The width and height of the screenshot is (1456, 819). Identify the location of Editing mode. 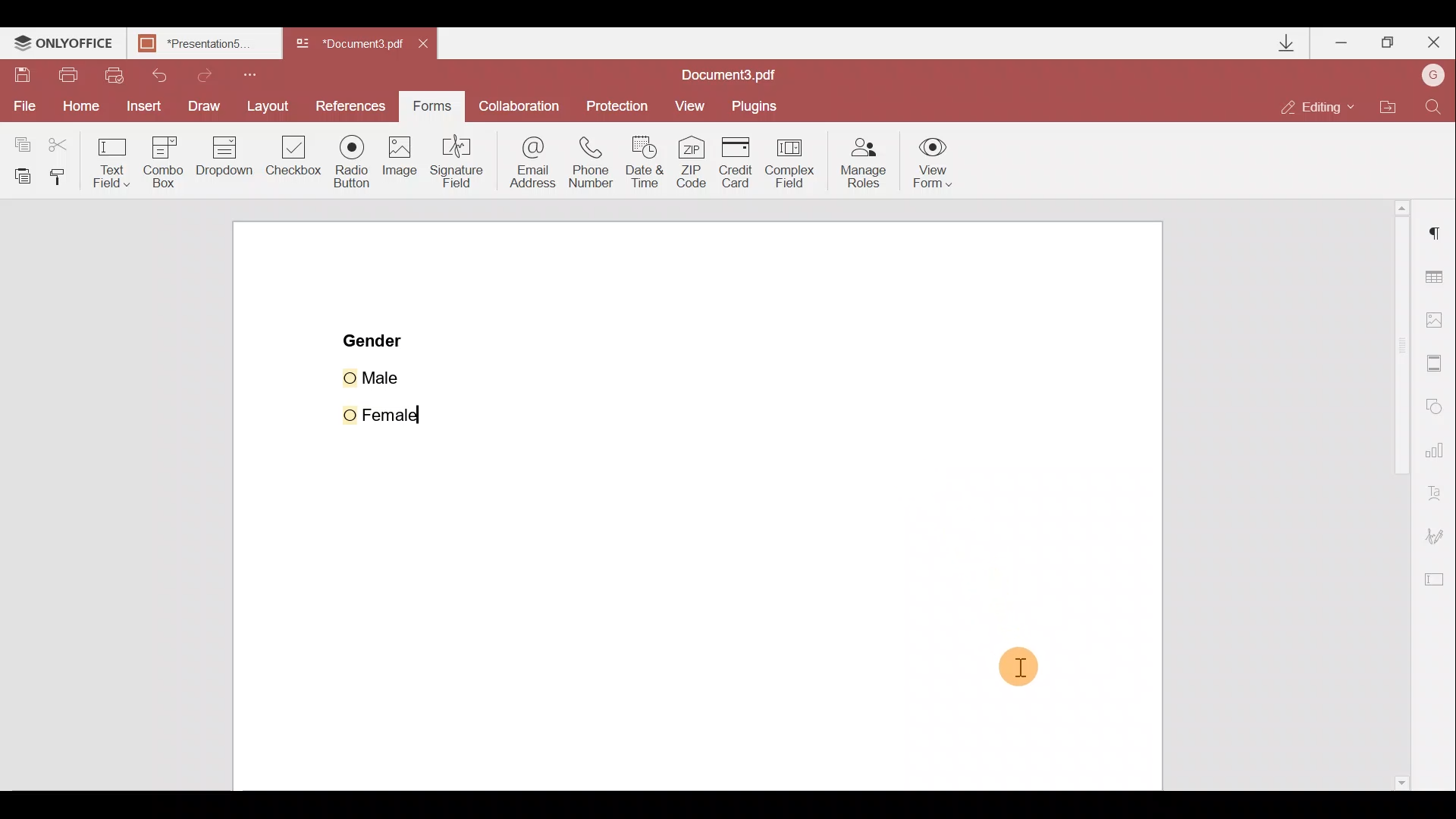
(1323, 101).